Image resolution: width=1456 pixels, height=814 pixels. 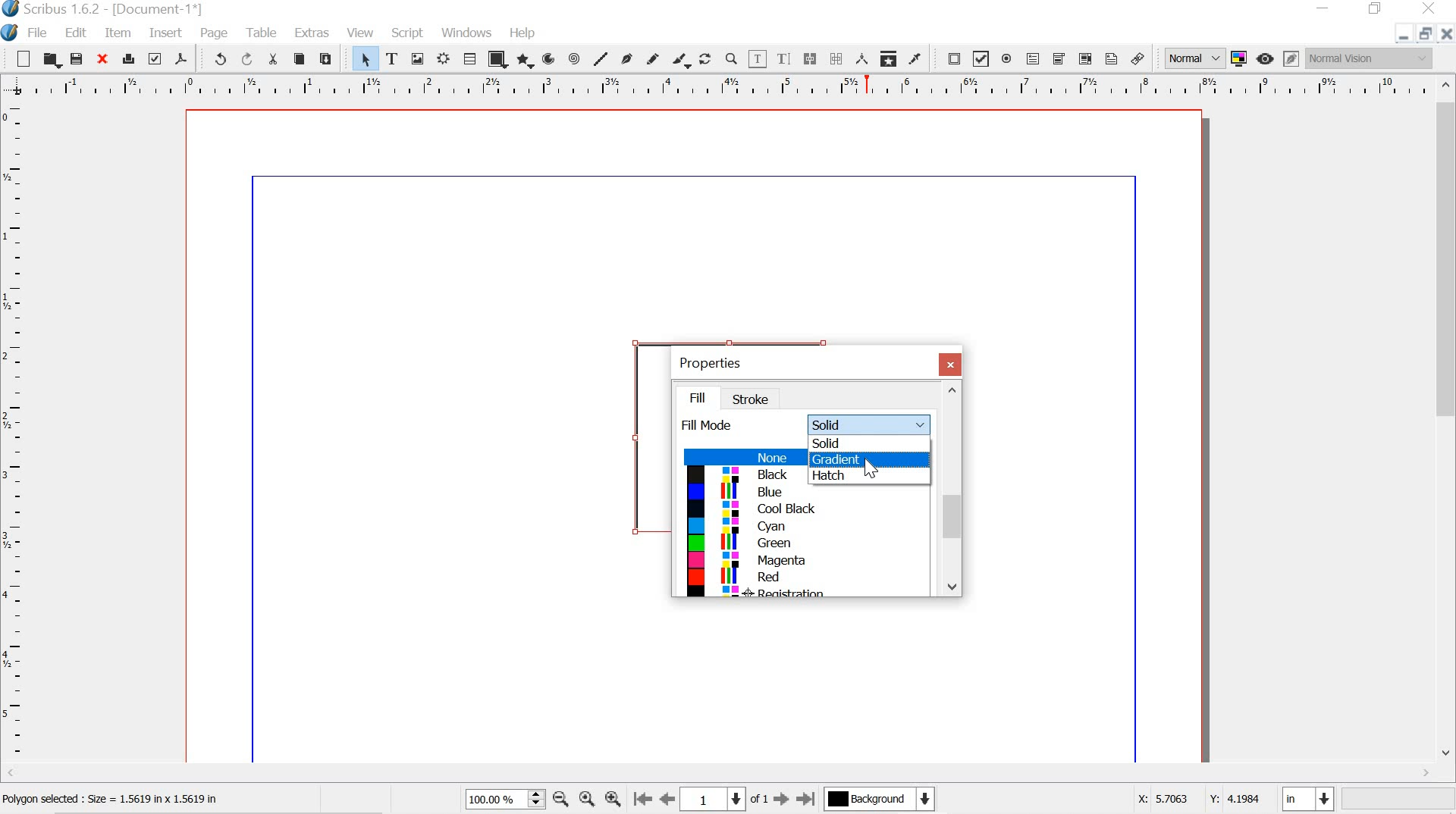 I want to click on view, so click(x=362, y=31).